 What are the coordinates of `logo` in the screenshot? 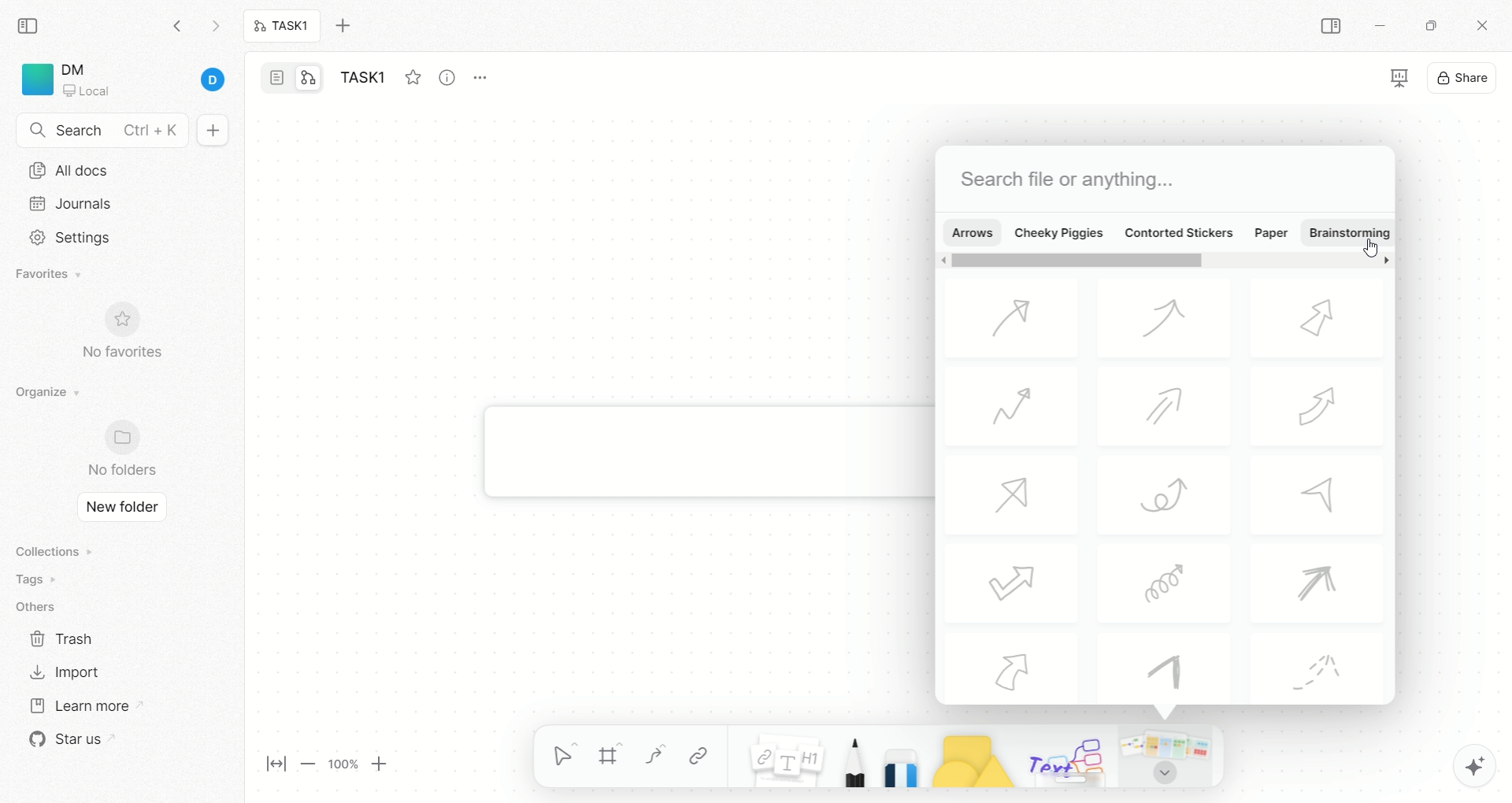 It's located at (35, 80).